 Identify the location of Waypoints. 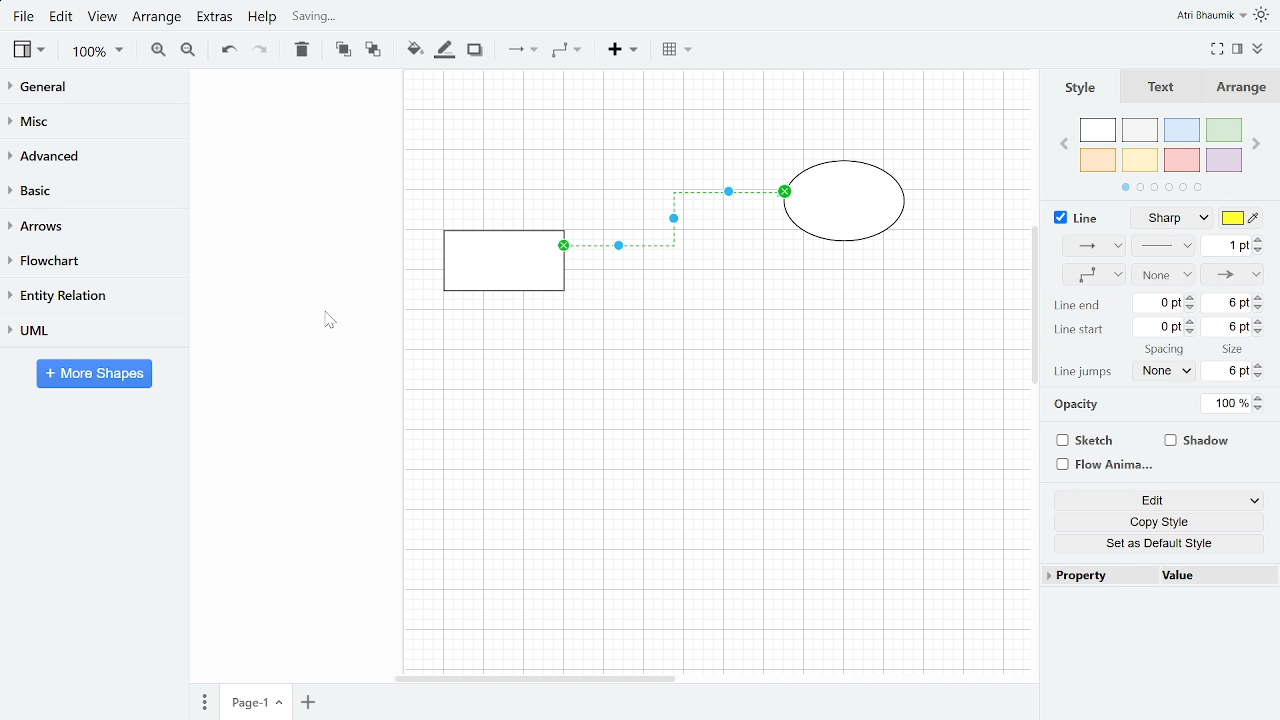
(1089, 275).